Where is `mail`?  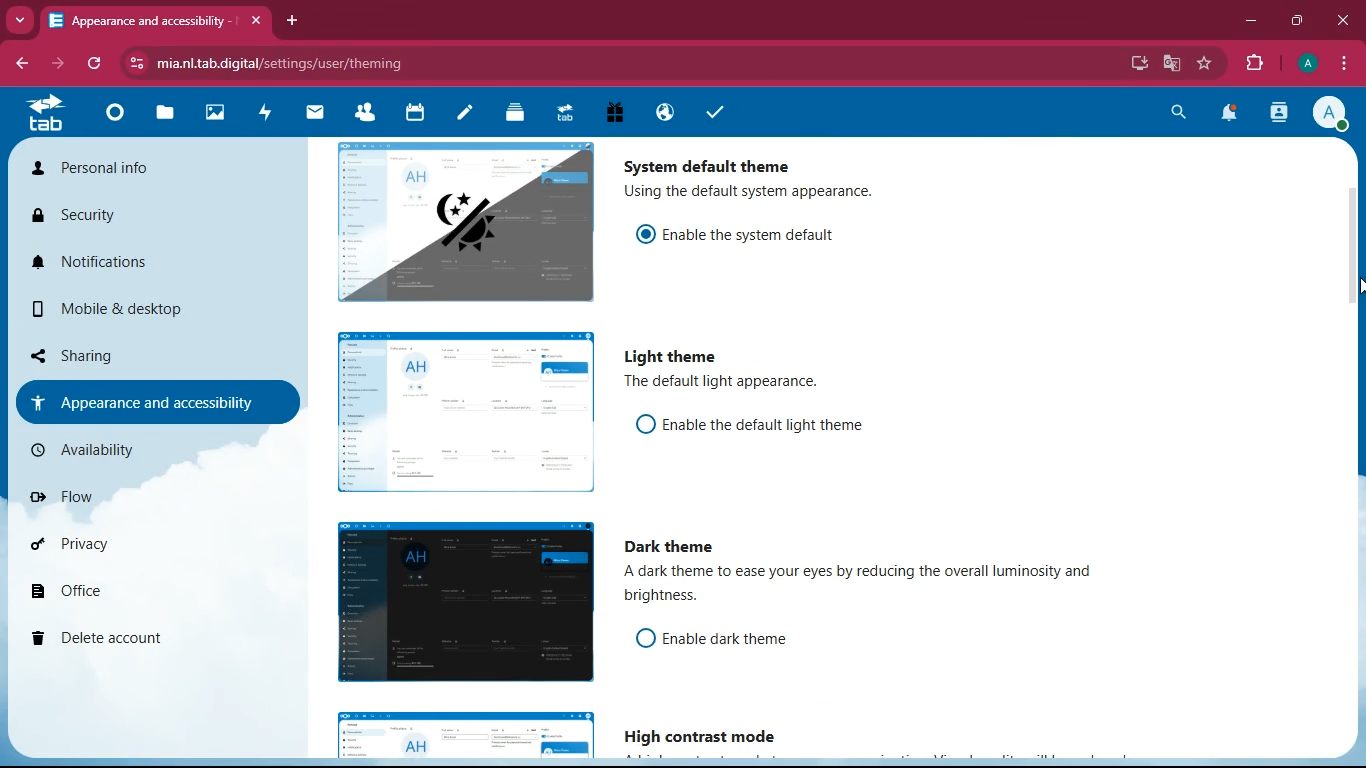 mail is located at coordinates (316, 112).